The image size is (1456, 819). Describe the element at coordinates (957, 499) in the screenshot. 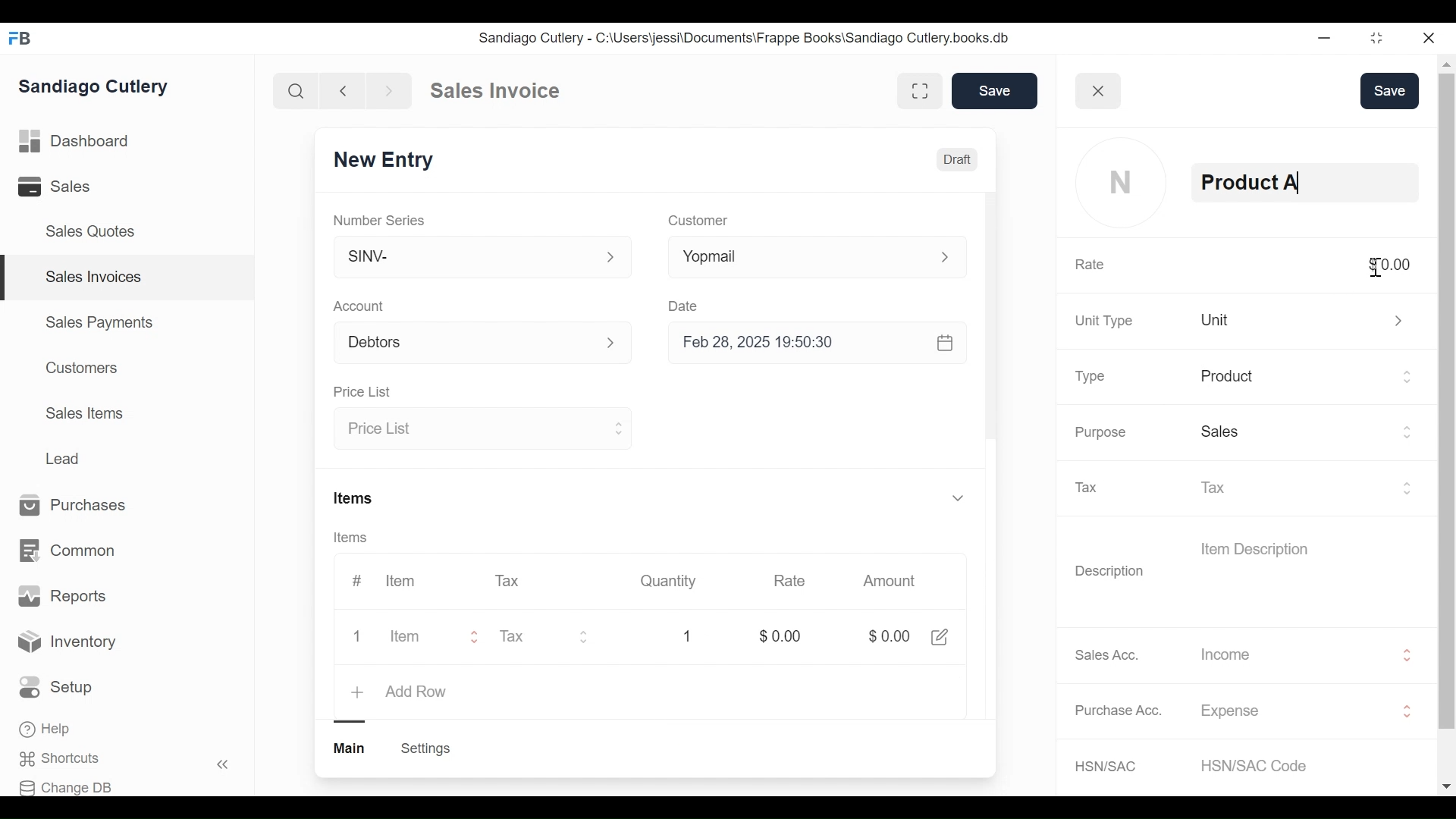

I see `v` at that location.